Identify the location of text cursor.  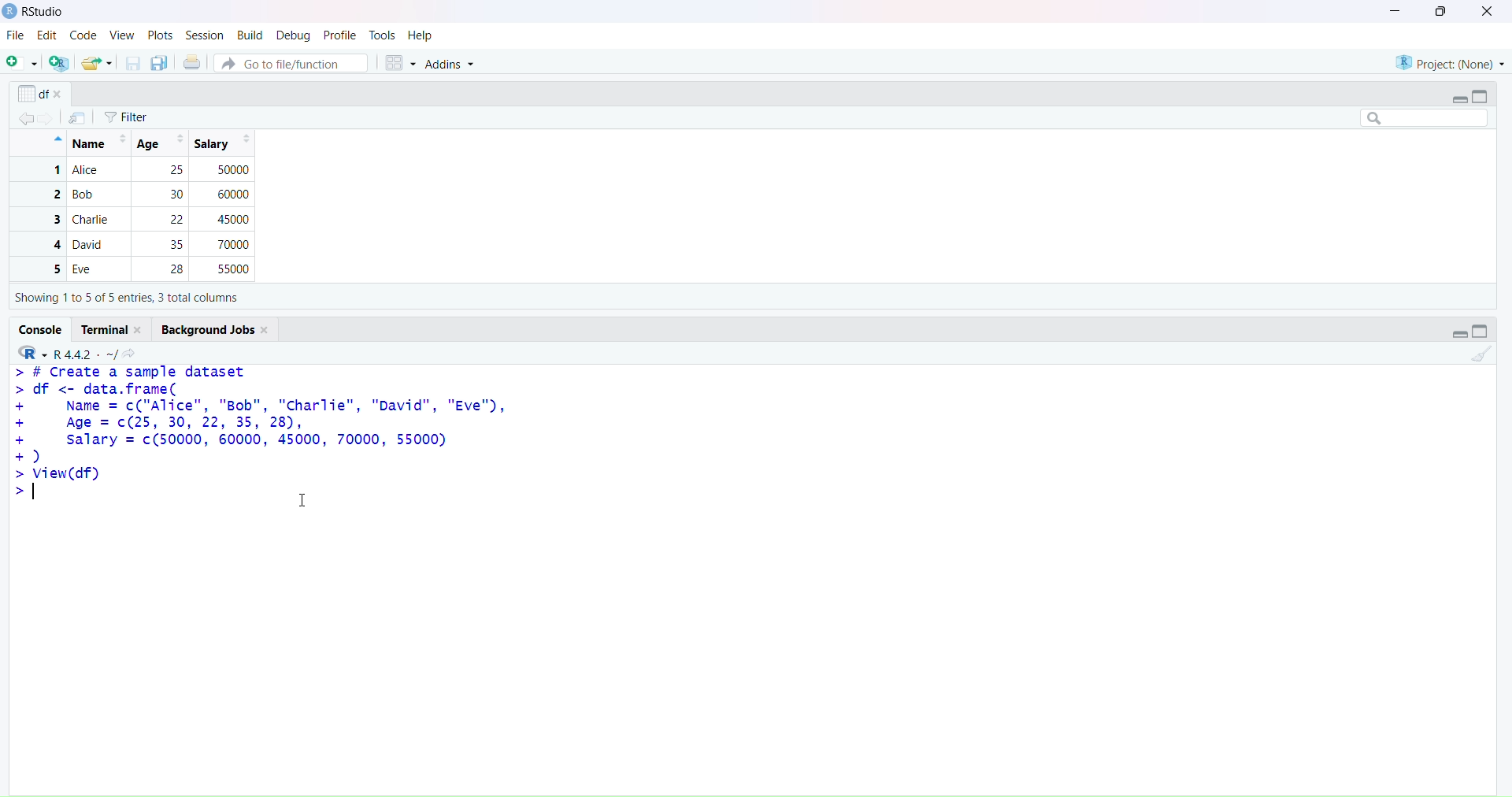
(39, 491).